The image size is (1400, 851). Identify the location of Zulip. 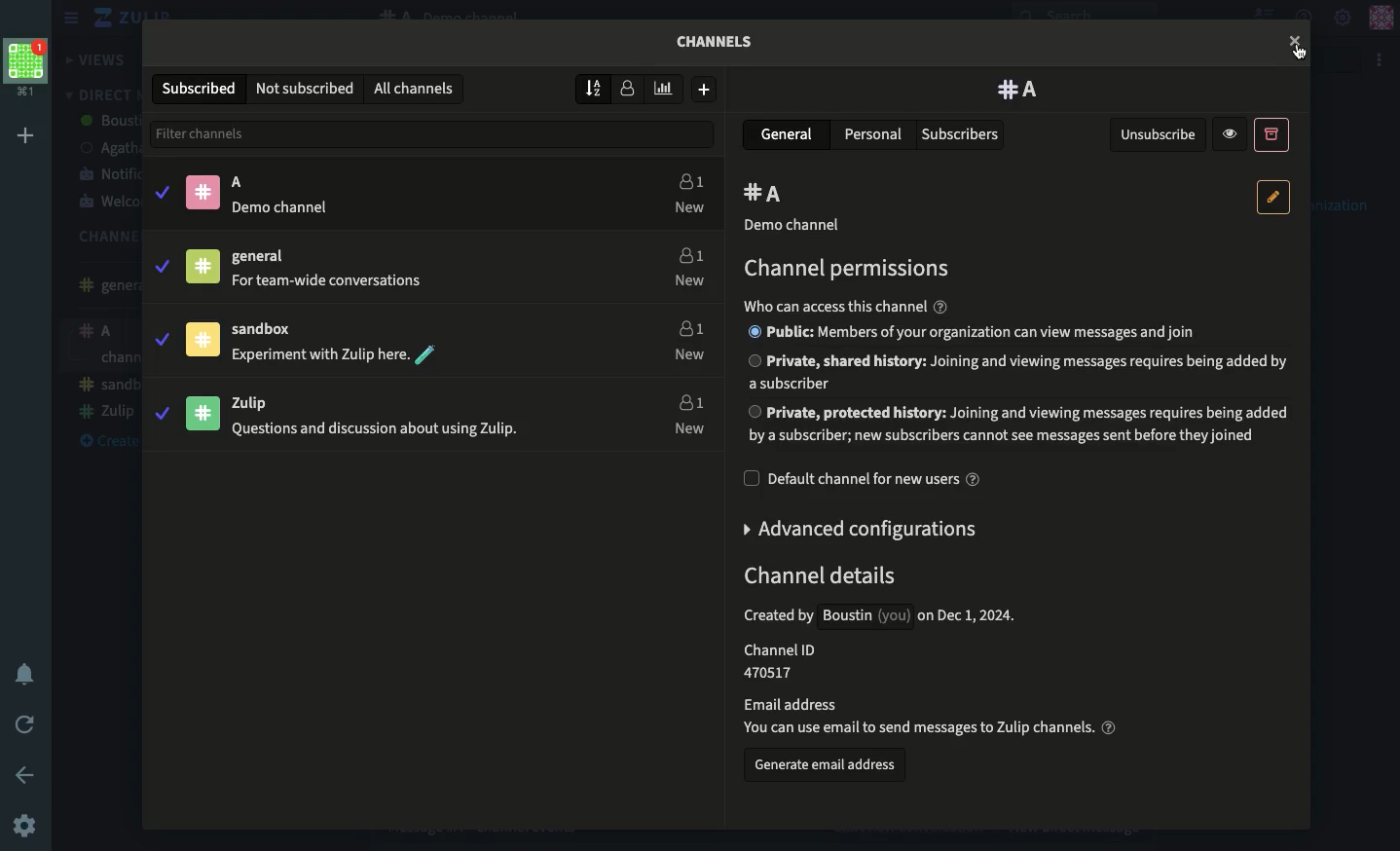
(105, 386).